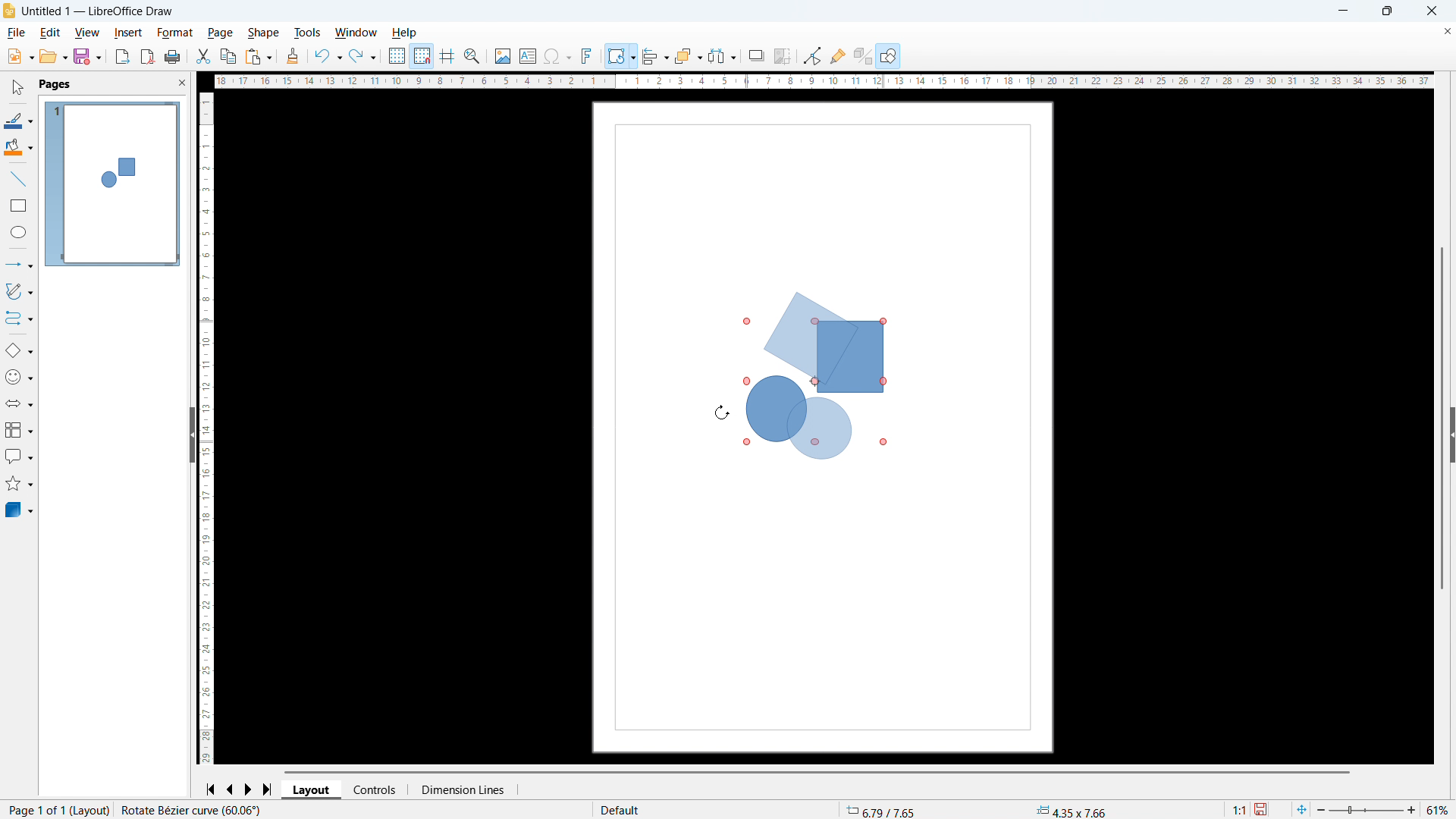 The width and height of the screenshot is (1456, 819). What do you see at coordinates (129, 33) in the screenshot?
I see `Insert ` at bounding box center [129, 33].